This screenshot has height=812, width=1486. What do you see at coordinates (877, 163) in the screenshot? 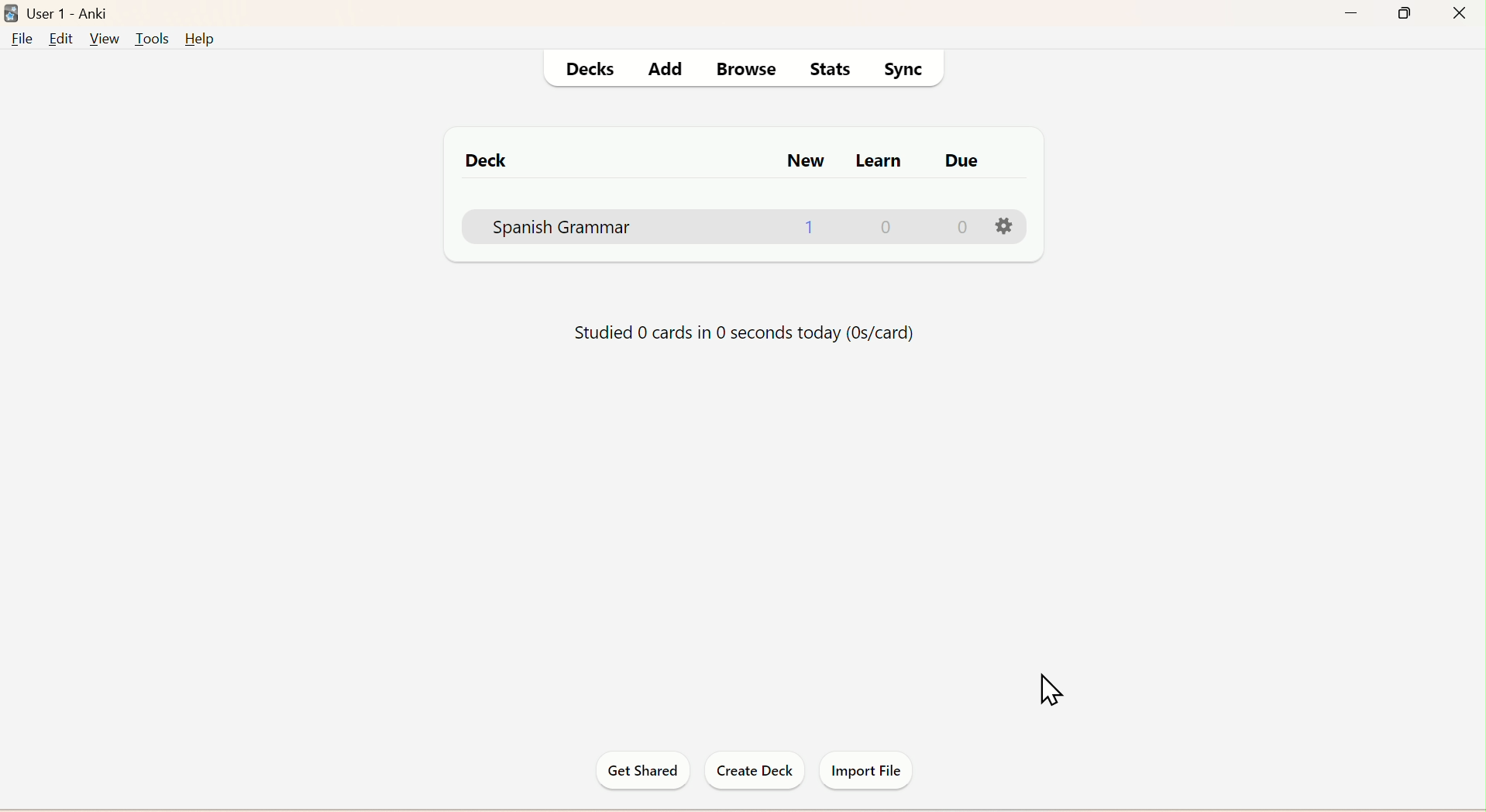
I see `Learn` at bounding box center [877, 163].